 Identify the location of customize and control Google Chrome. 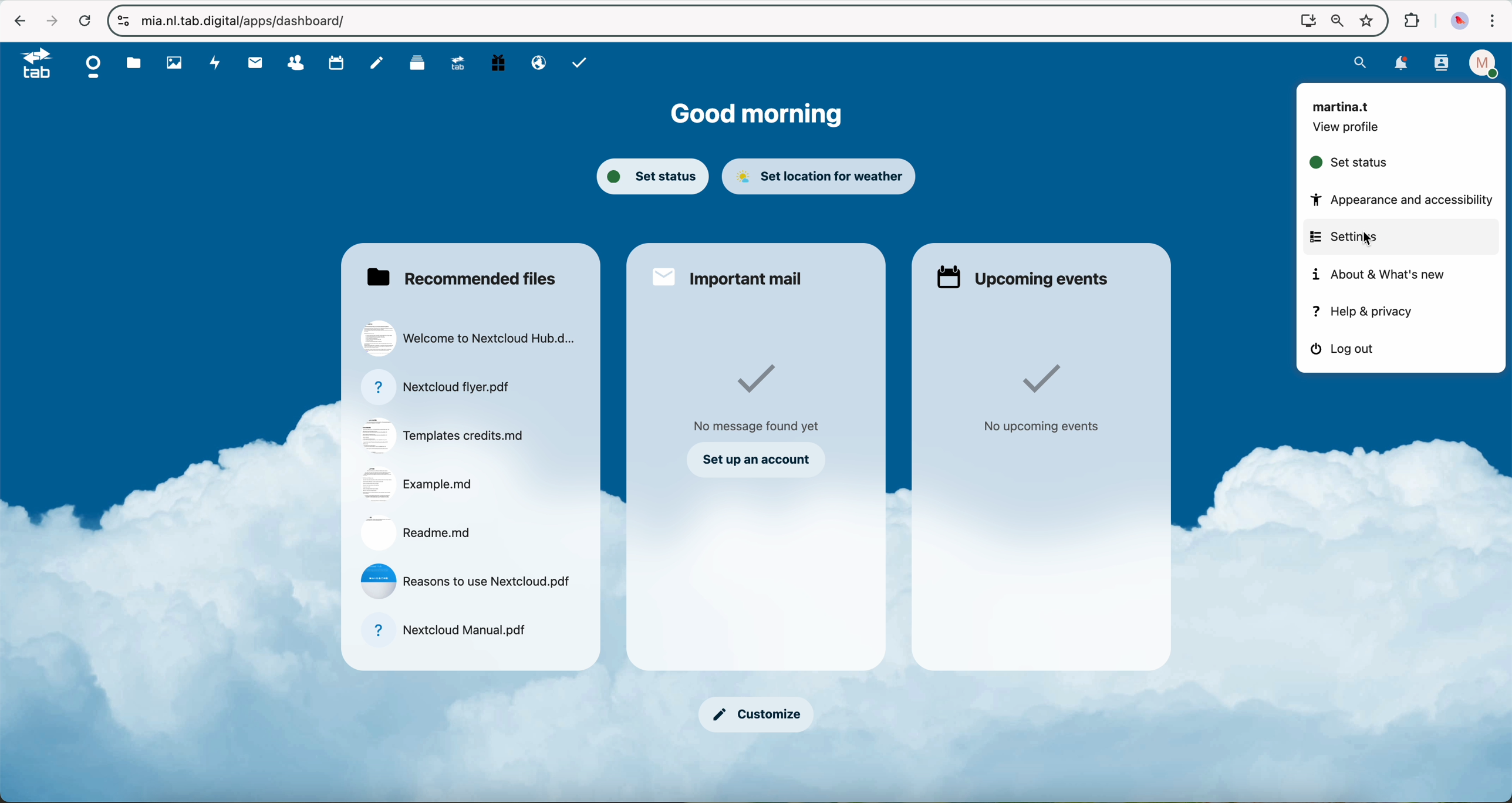
(1494, 21).